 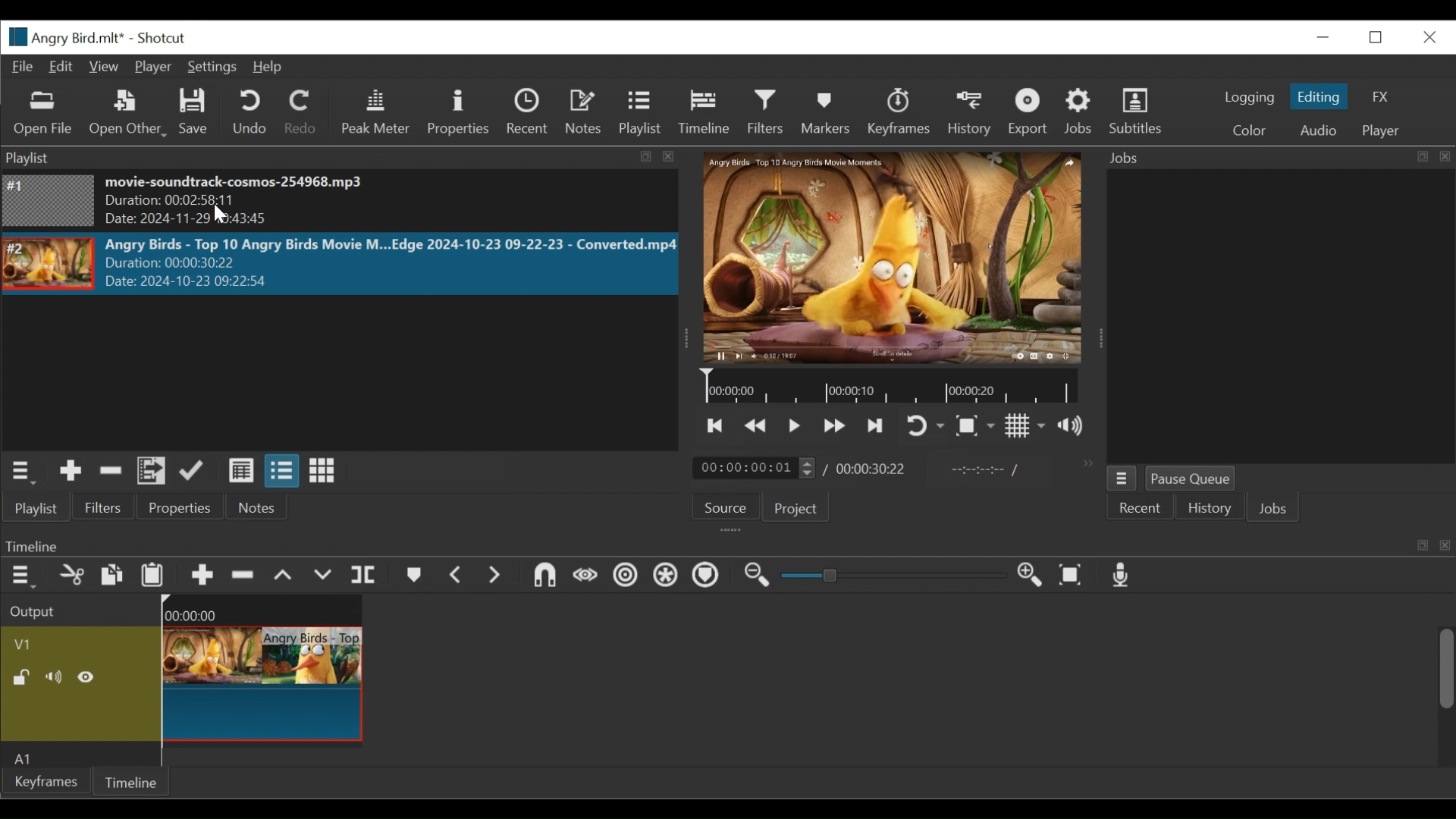 What do you see at coordinates (767, 114) in the screenshot?
I see `Filters` at bounding box center [767, 114].